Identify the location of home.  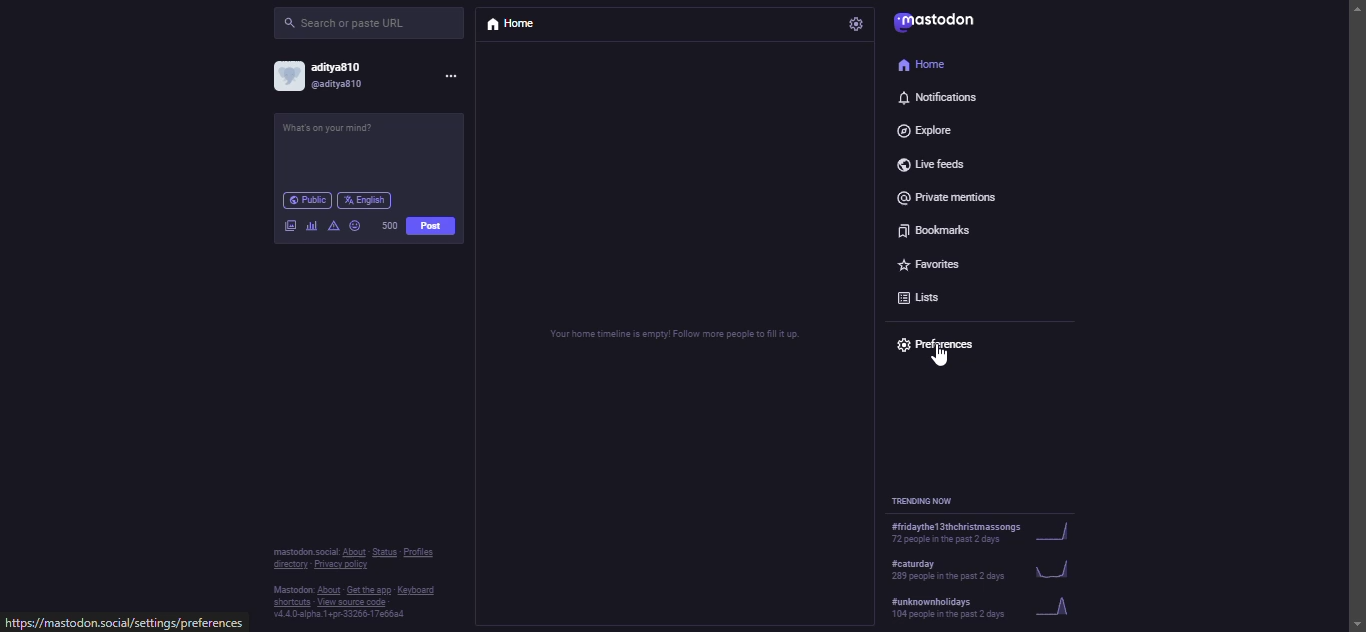
(511, 26).